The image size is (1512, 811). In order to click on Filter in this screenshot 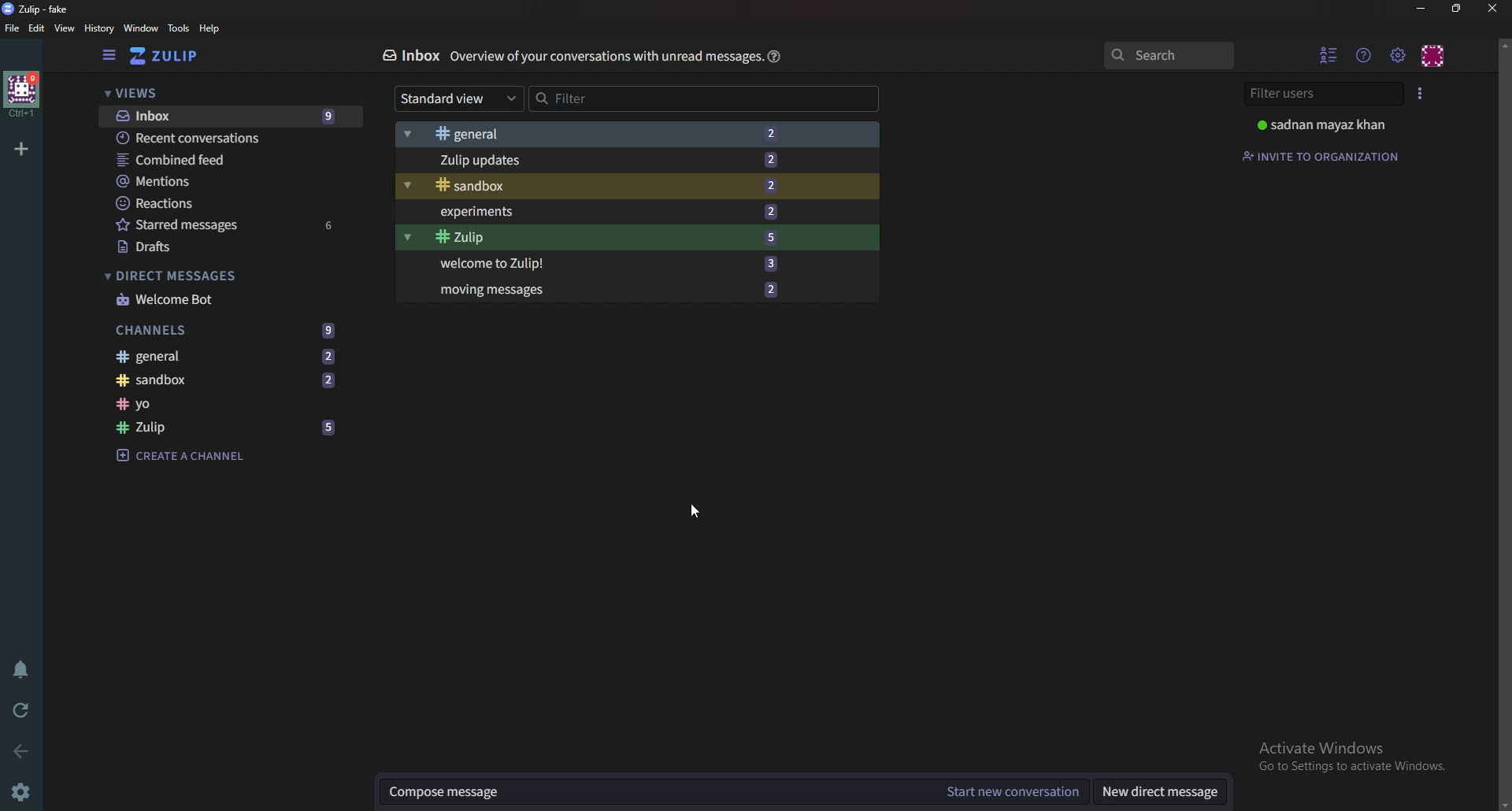, I will do `click(697, 99)`.